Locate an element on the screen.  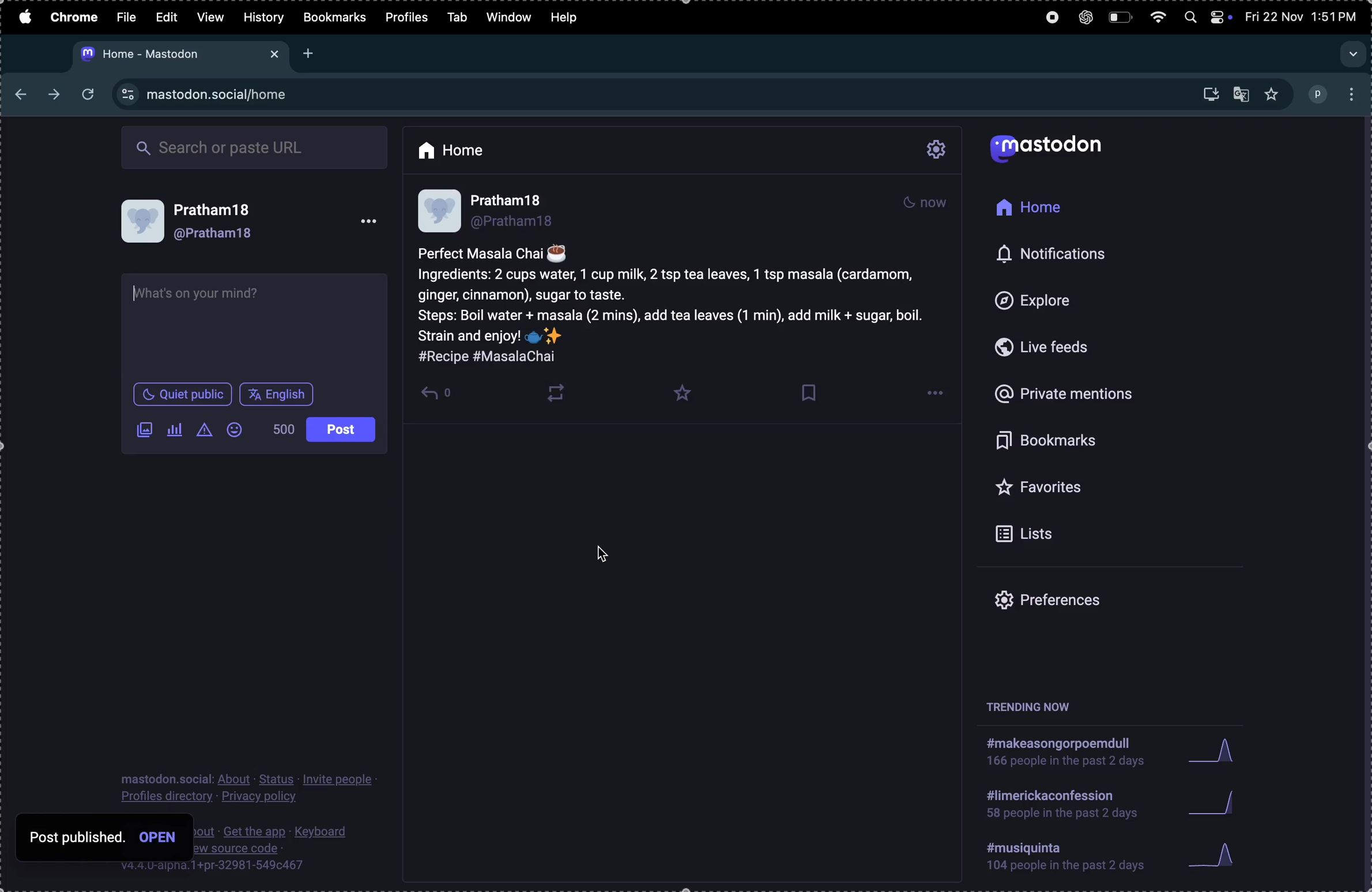
quiet in public is located at coordinates (183, 394).